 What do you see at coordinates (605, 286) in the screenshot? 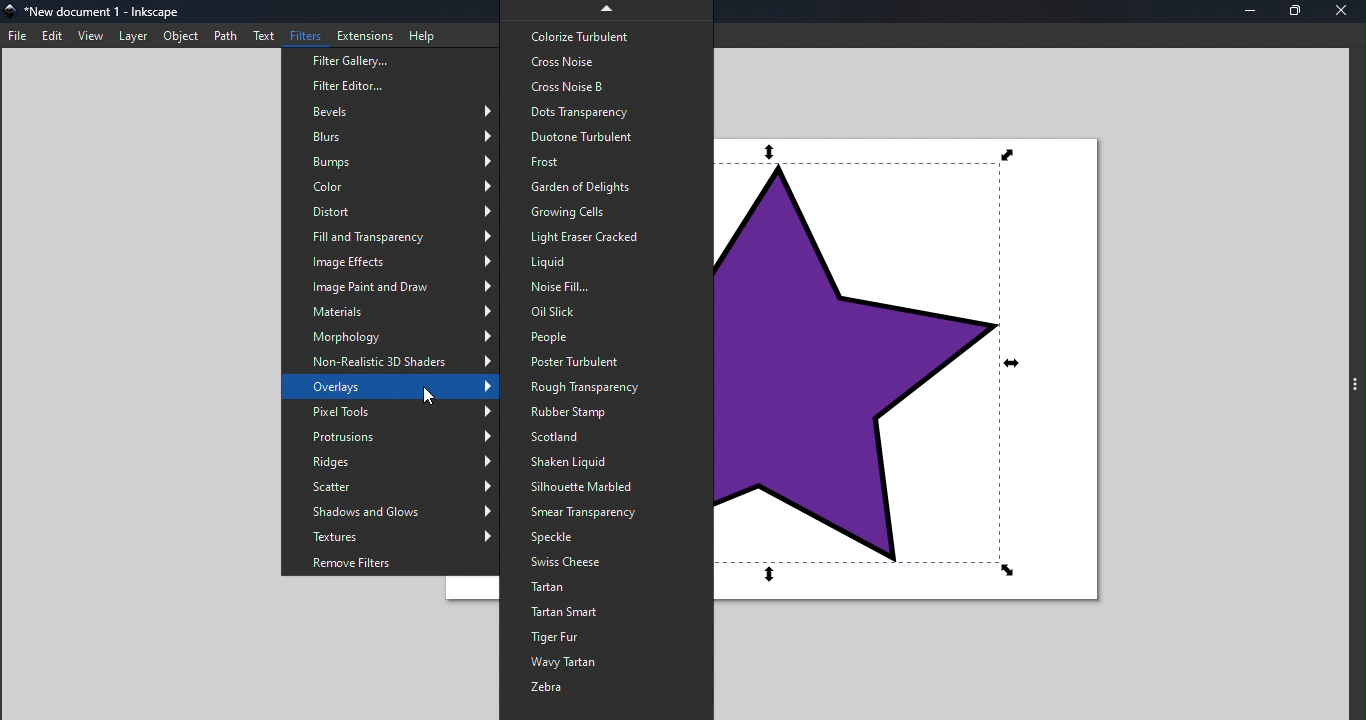
I see `Noise fill` at bounding box center [605, 286].